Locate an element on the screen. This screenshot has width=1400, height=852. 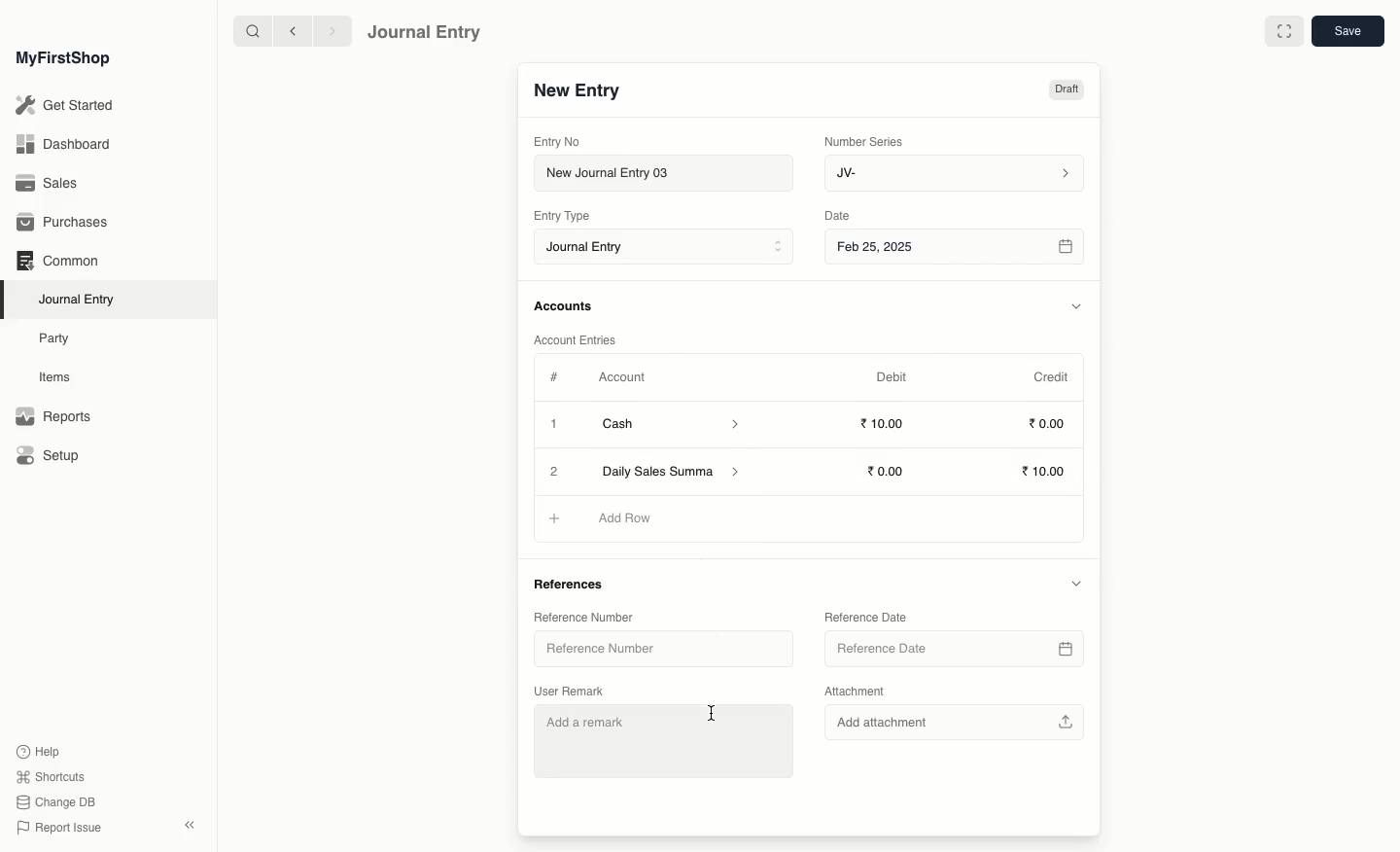
Reports is located at coordinates (52, 417).